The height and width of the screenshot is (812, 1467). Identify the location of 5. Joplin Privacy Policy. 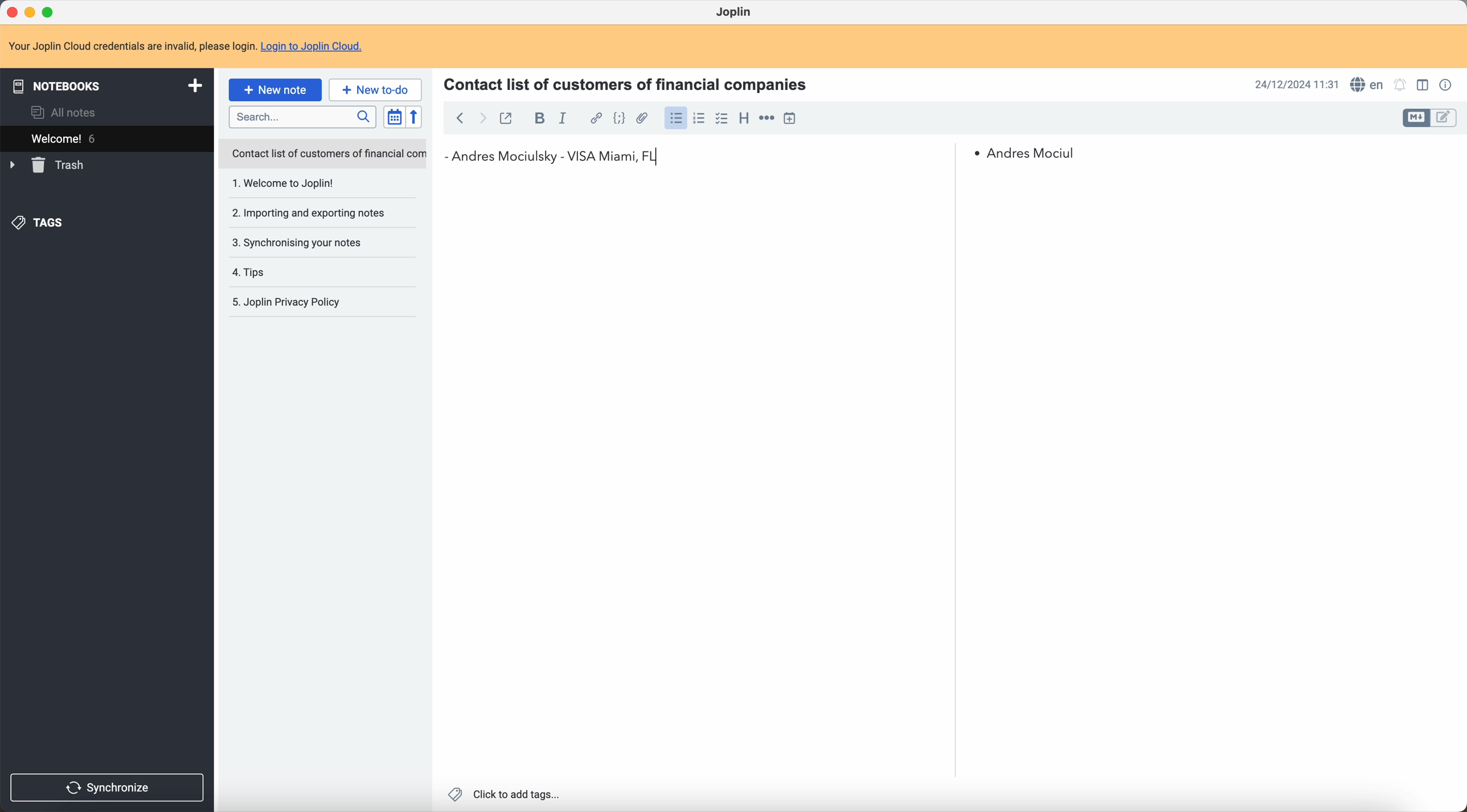
(294, 303).